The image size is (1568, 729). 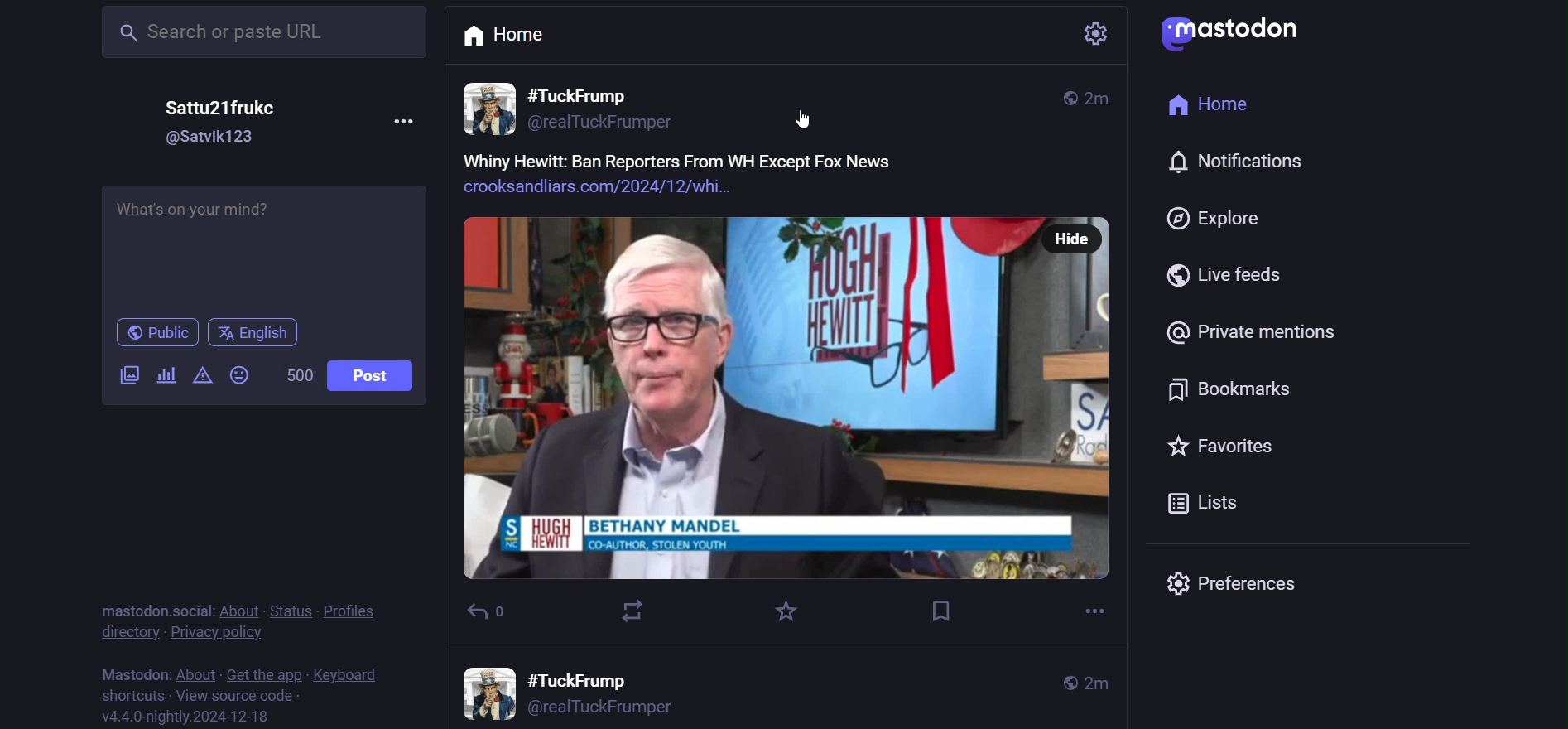 What do you see at coordinates (127, 374) in the screenshot?
I see `image/video` at bounding box center [127, 374].